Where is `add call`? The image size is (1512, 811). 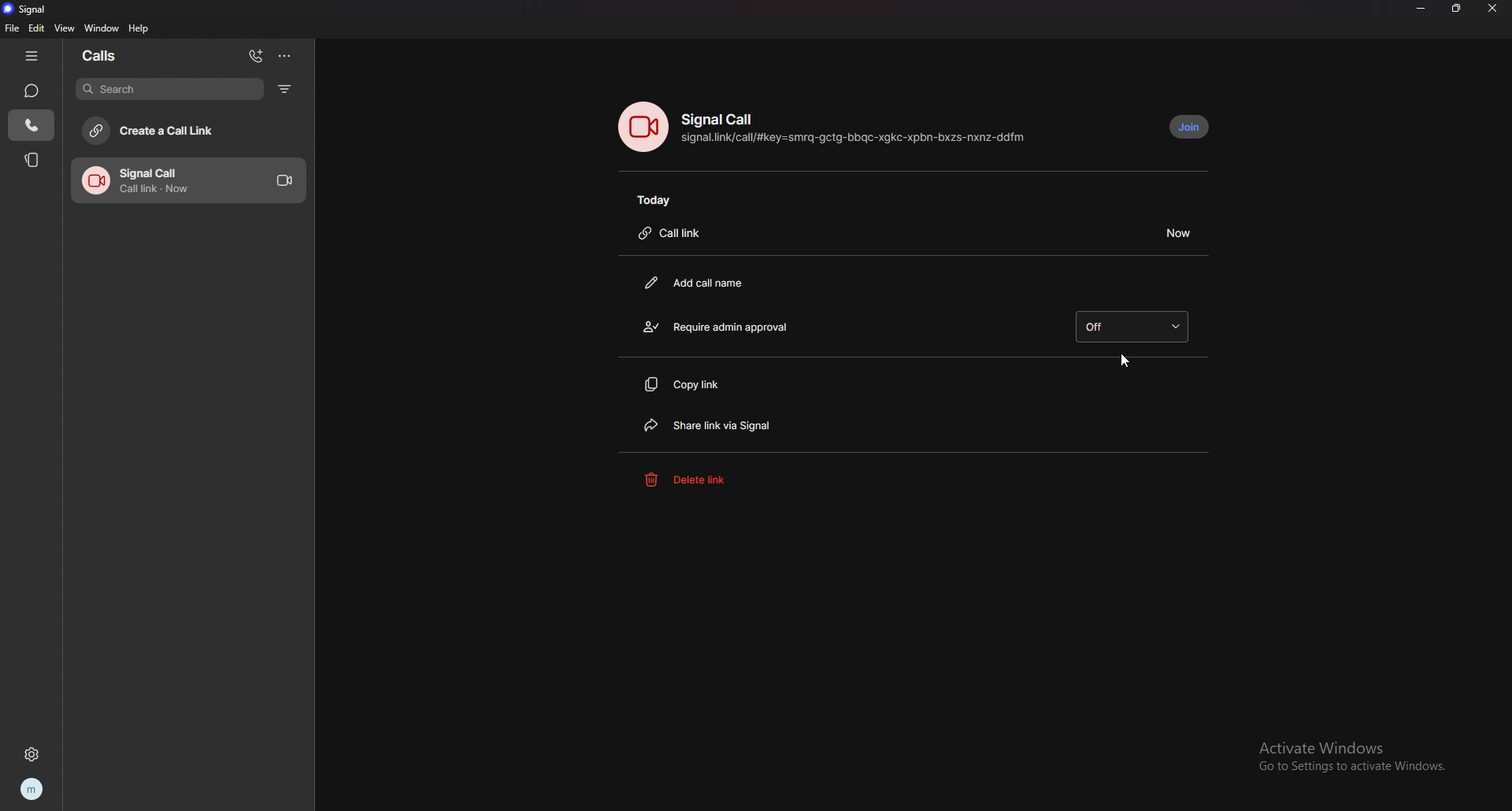 add call is located at coordinates (257, 57).